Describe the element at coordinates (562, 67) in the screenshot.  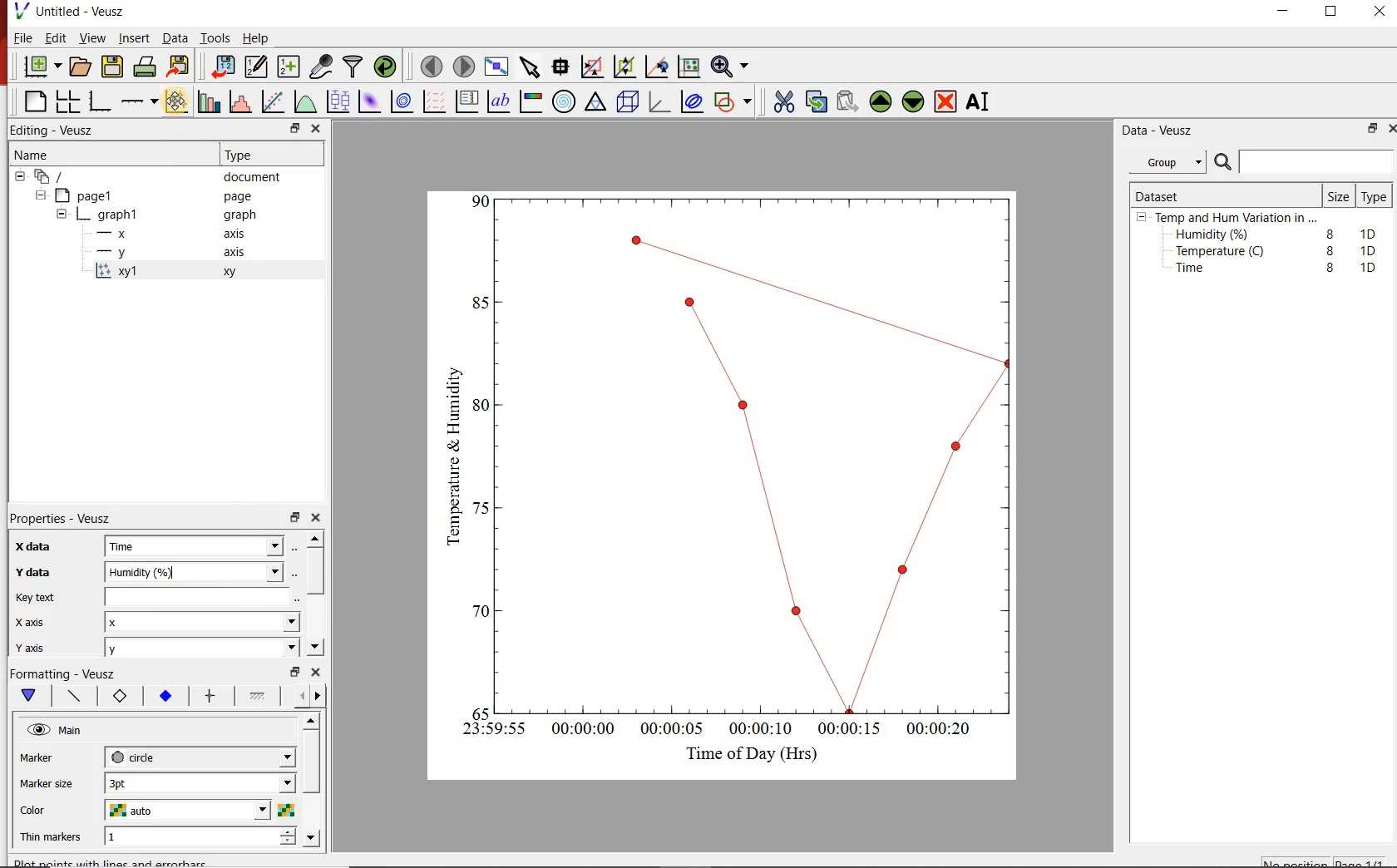
I see `Read data points on the graph` at that location.